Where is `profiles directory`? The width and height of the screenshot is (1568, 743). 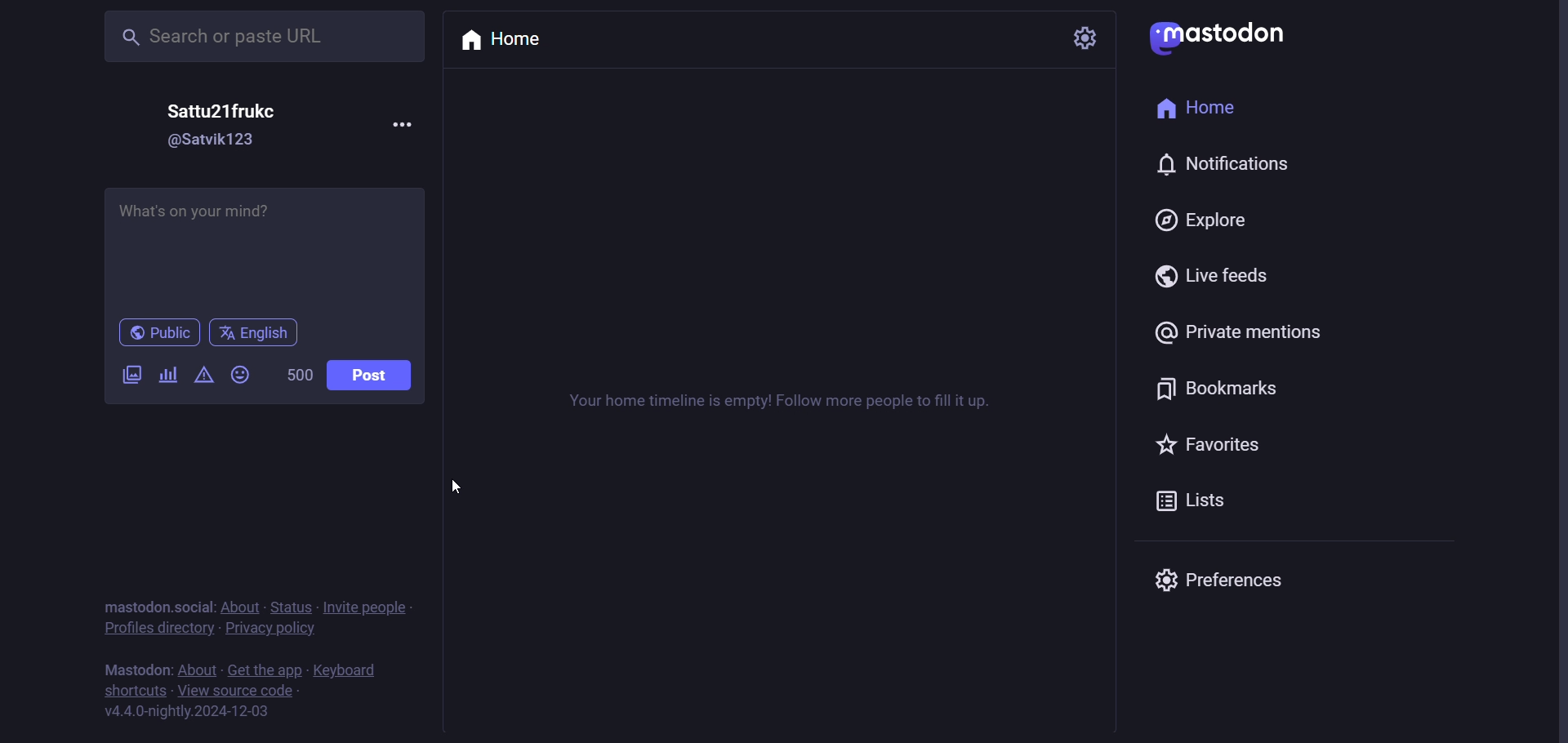 profiles directory is located at coordinates (156, 631).